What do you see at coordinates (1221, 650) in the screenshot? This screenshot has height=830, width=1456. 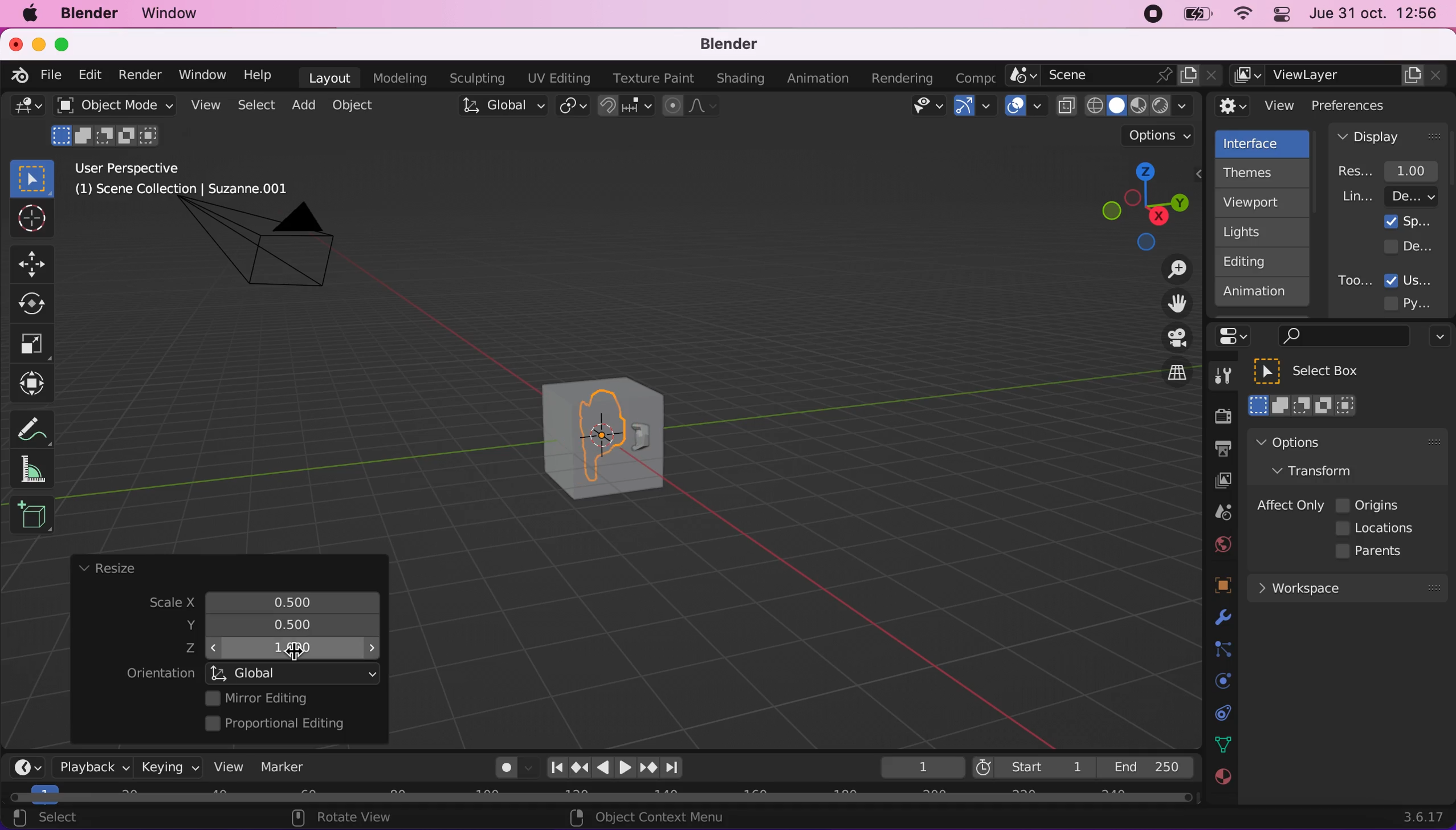 I see `constraints` at bounding box center [1221, 650].